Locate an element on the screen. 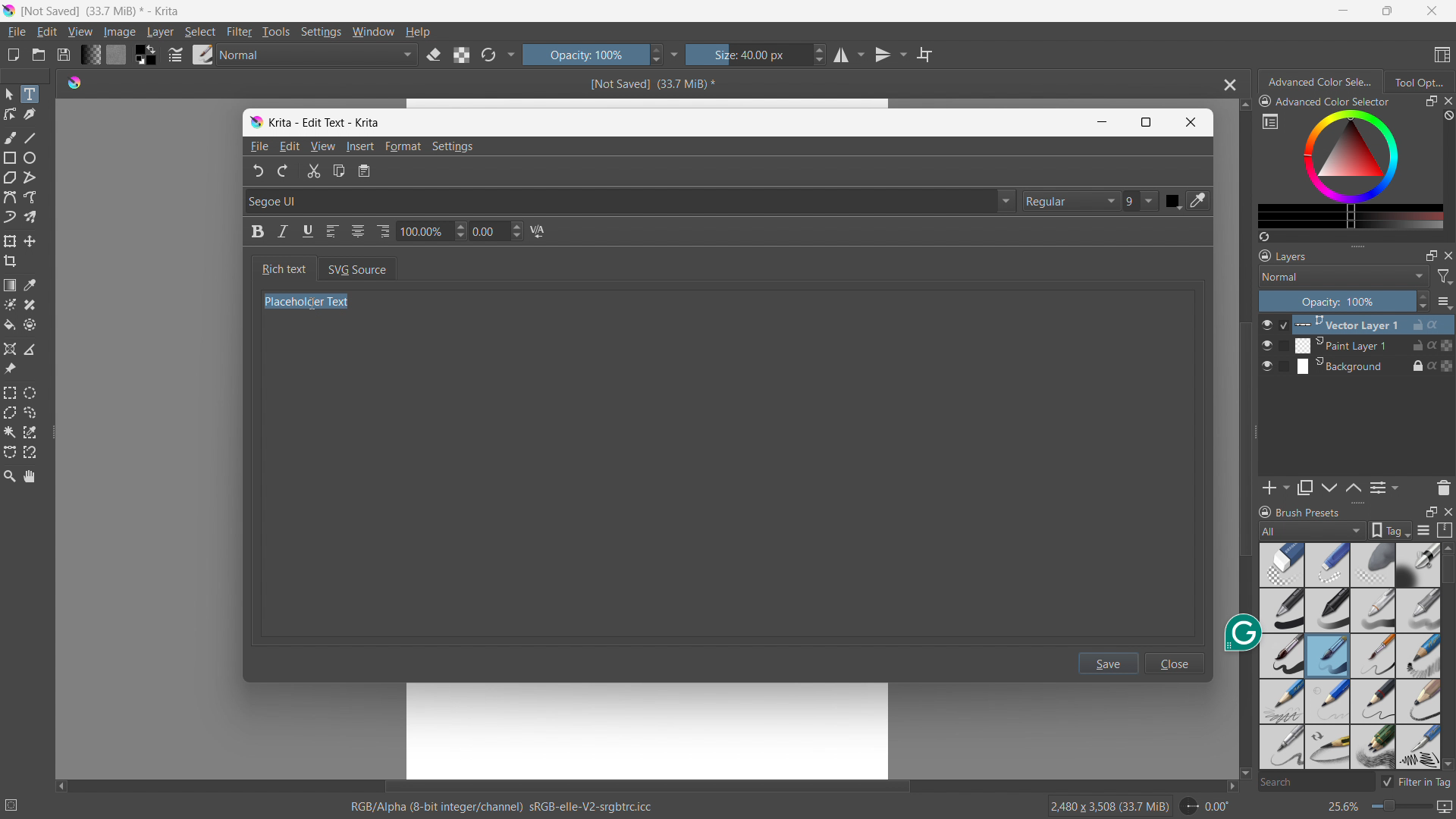 This screenshot has width=1456, height=819. sketch pencil is located at coordinates (1417, 657).